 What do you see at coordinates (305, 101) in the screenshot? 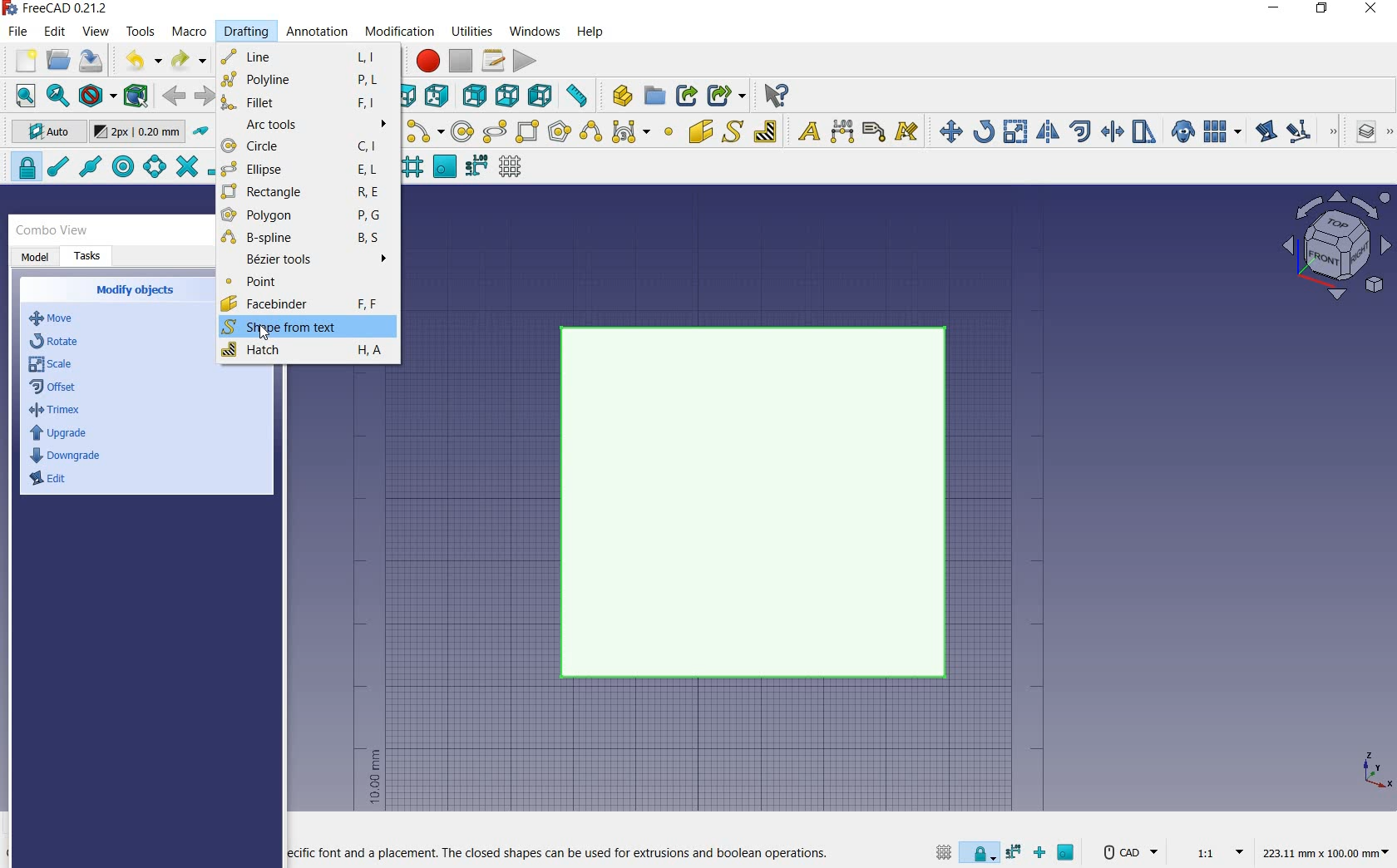
I see `fillet` at bounding box center [305, 101].